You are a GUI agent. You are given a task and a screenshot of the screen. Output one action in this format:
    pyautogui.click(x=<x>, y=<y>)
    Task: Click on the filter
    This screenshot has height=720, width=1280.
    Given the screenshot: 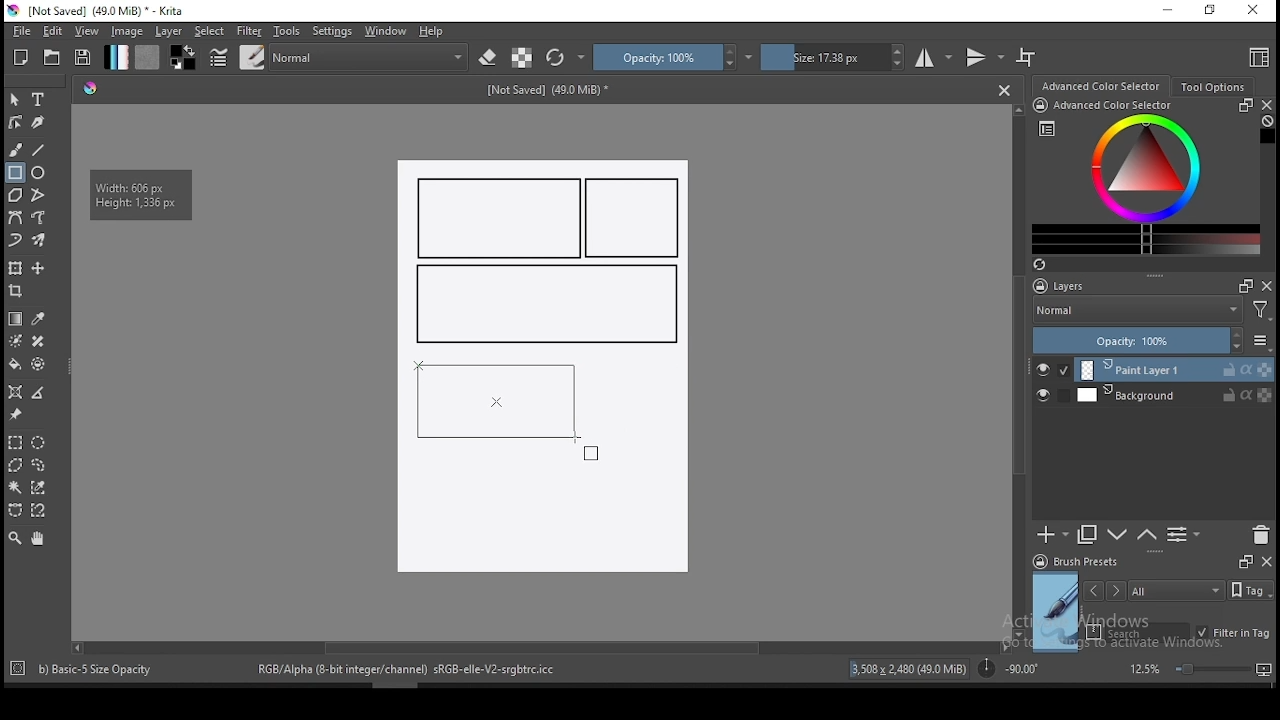 What is the action you would take?
    pyautogui.click(x=248, y=31)
    